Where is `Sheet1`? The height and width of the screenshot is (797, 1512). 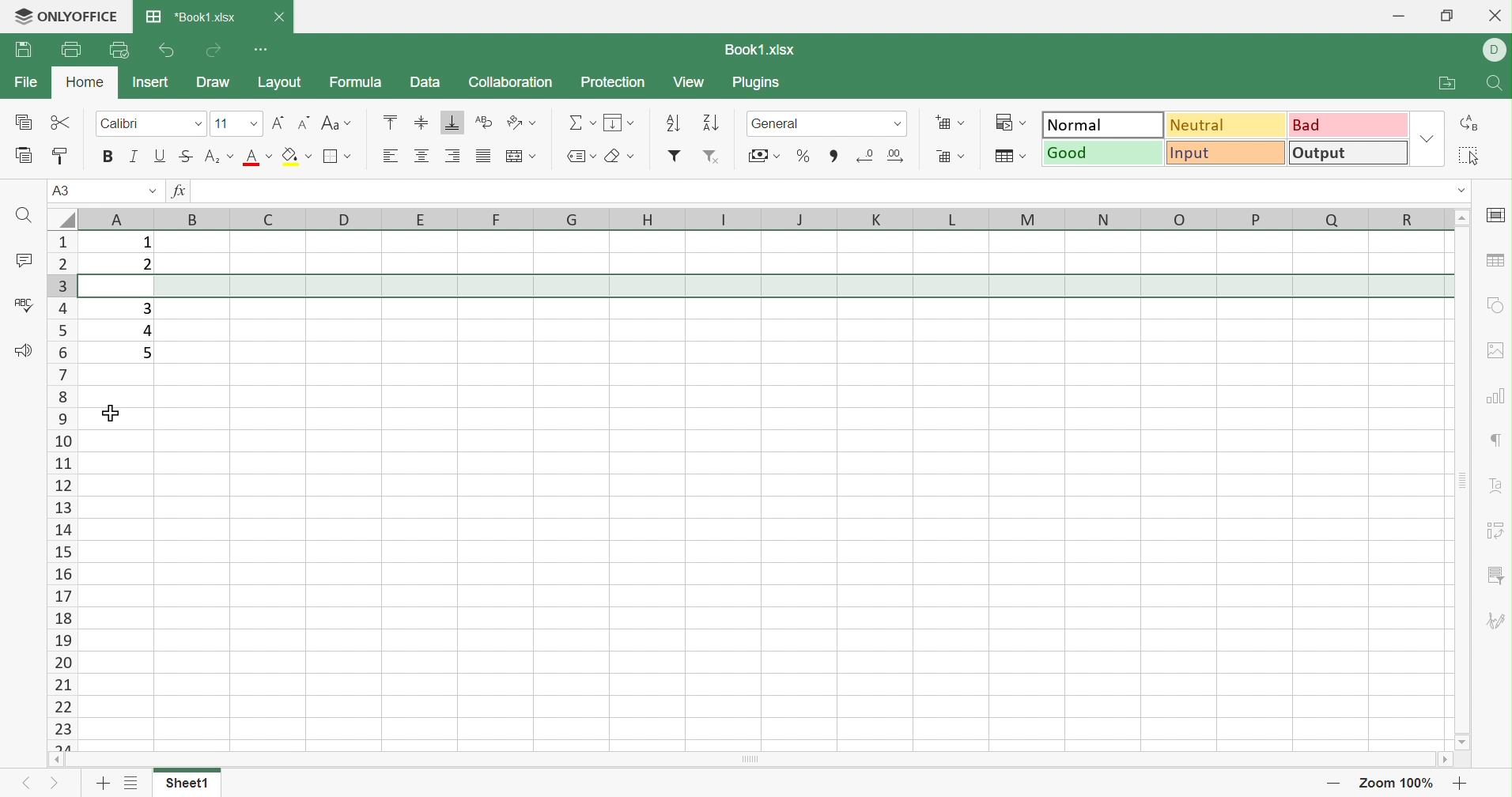 Sheet1 is located at coordinates (189, 784).